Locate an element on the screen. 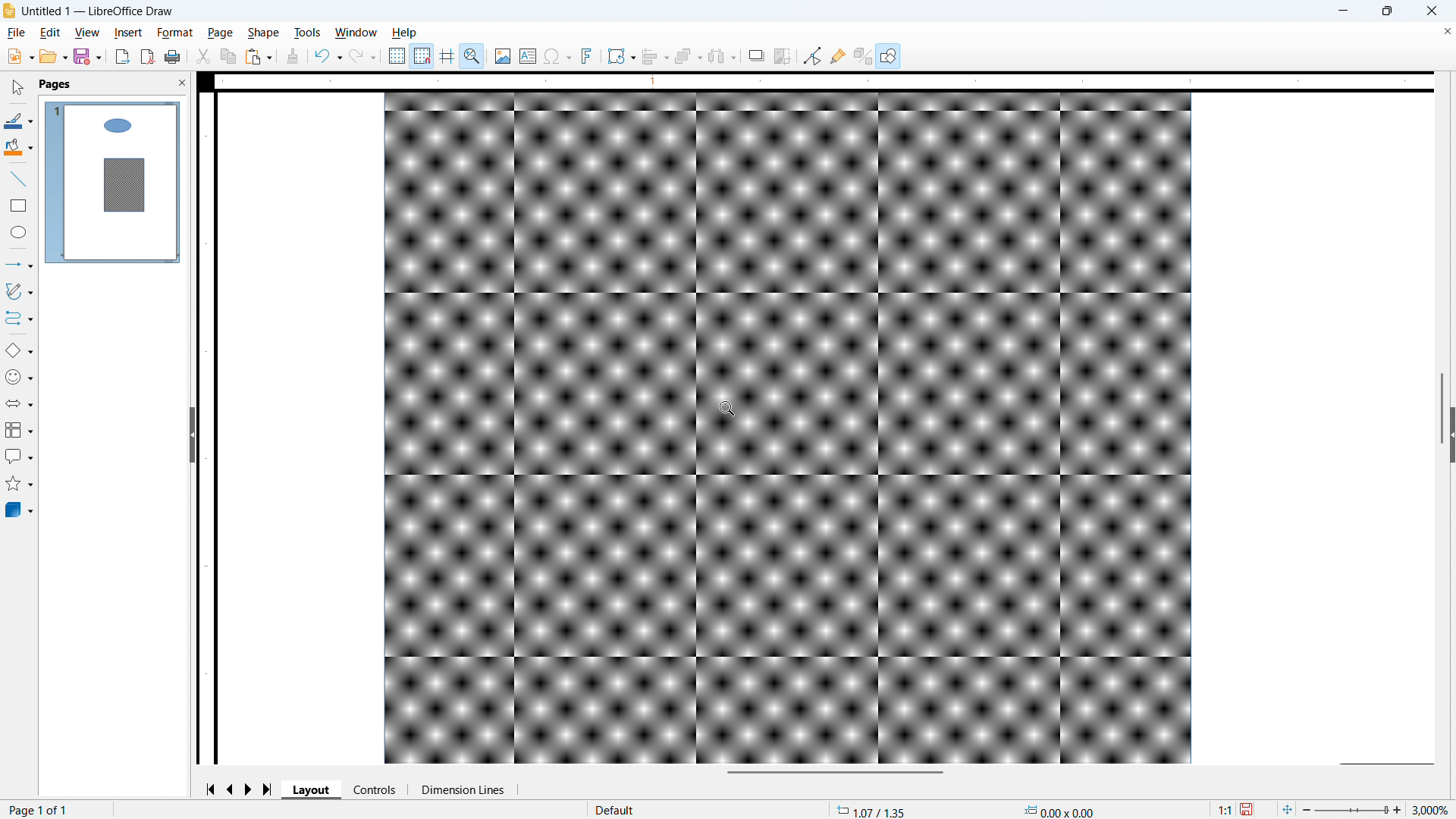 The width and height of the screenshot is (1456, 819). Window  is located at coordinates (356, 33).